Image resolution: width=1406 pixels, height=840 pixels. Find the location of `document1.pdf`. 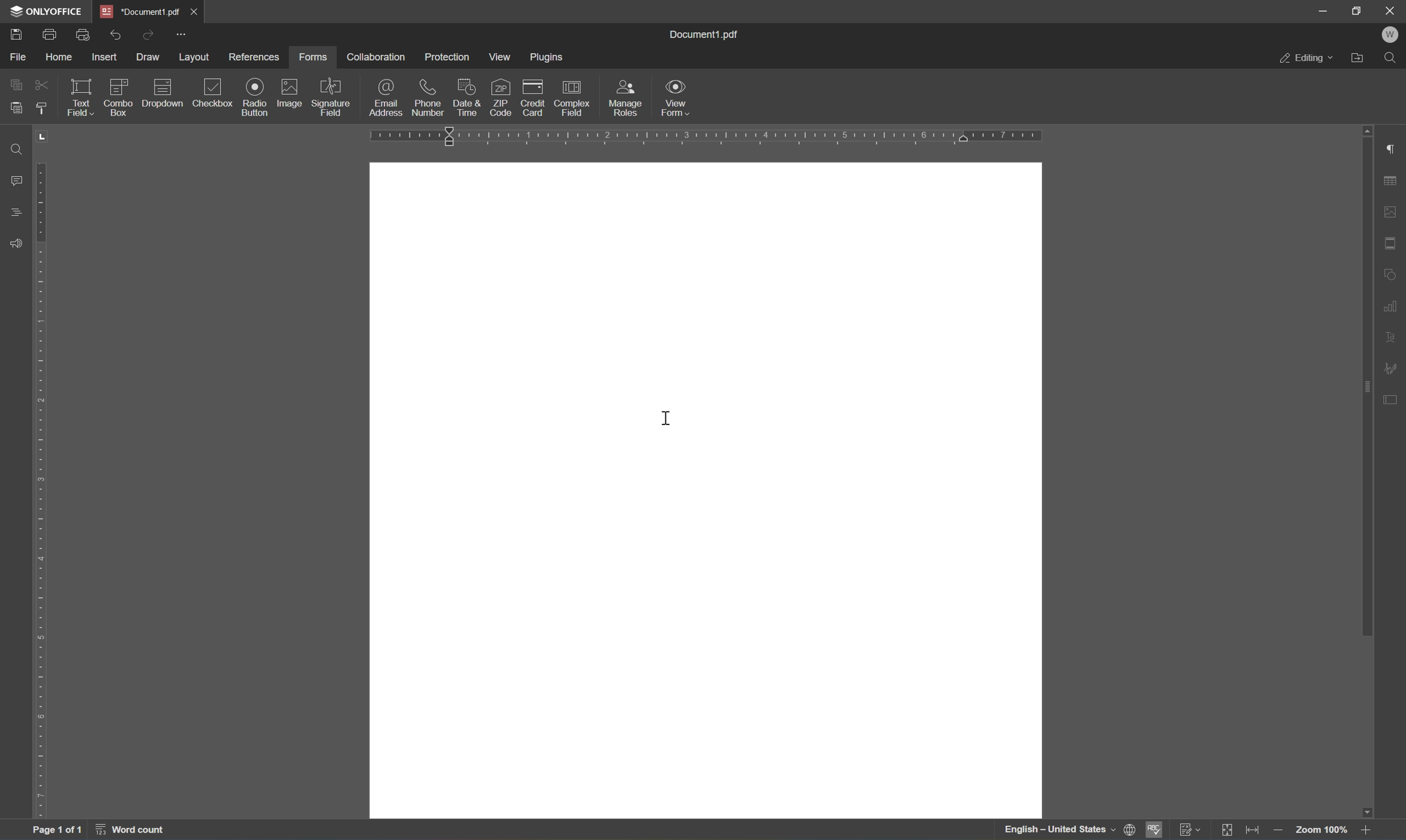

document1.pdf is located at coordinates (704, 34).